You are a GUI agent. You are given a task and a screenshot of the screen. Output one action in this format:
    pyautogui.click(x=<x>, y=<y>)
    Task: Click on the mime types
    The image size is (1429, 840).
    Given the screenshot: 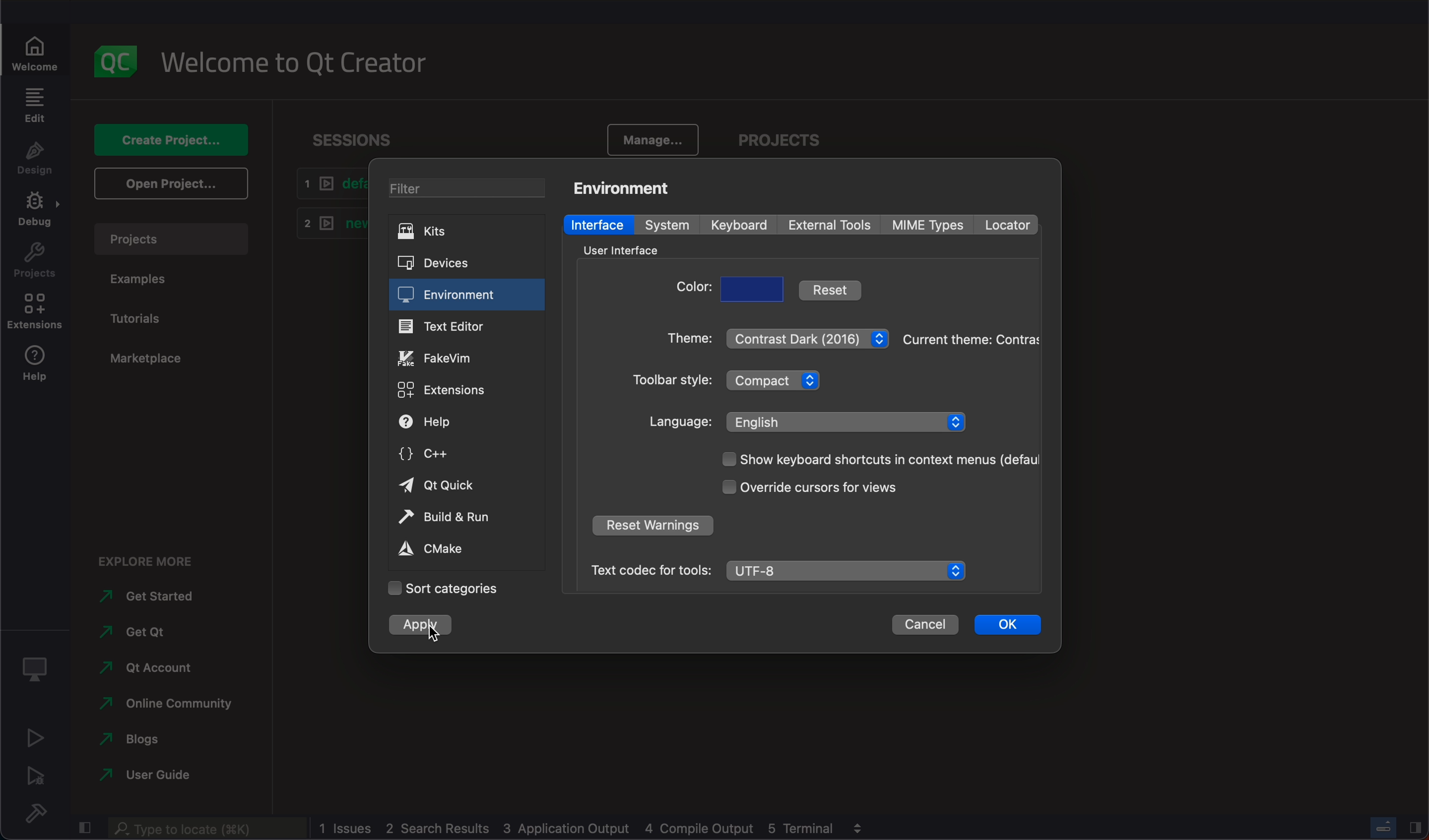 What is the action you would take?
    pyautogui.click(x=932, y=224)
    